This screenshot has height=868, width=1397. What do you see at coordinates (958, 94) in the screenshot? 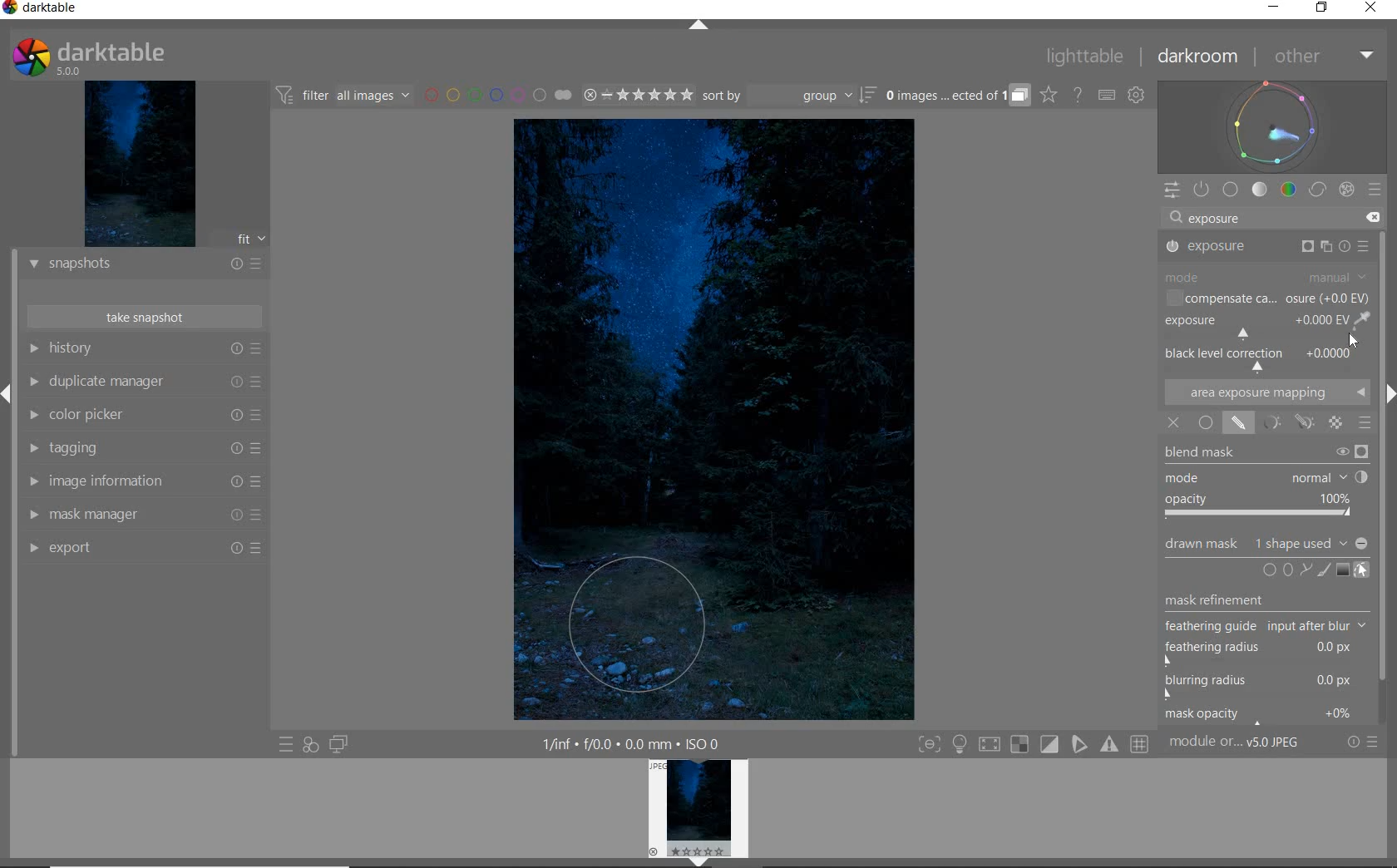
I see `EXPAND GROUPED IMAGES` at bounding box center [958, 94].